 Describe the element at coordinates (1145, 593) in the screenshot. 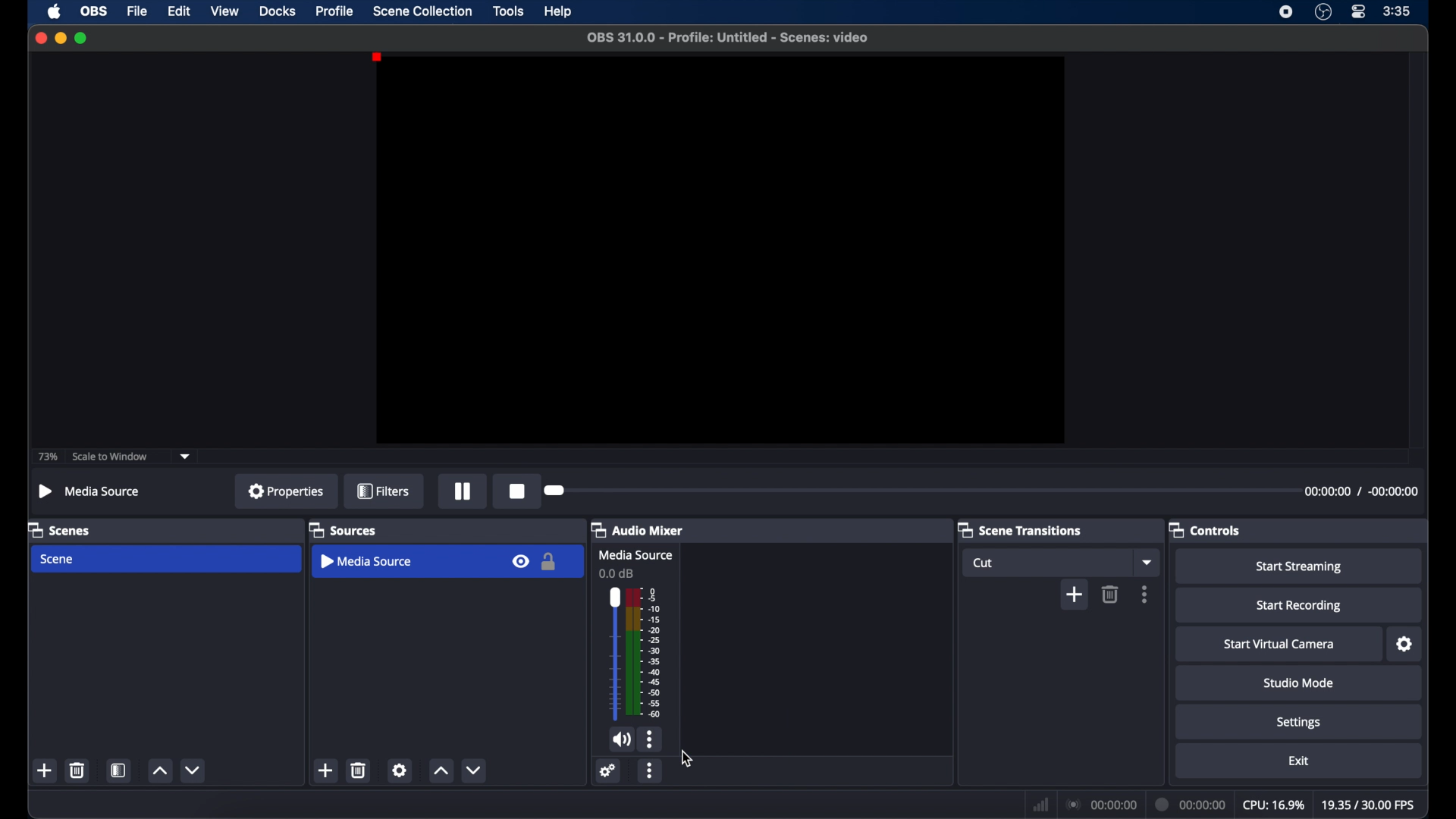

I see `more options` at that location.